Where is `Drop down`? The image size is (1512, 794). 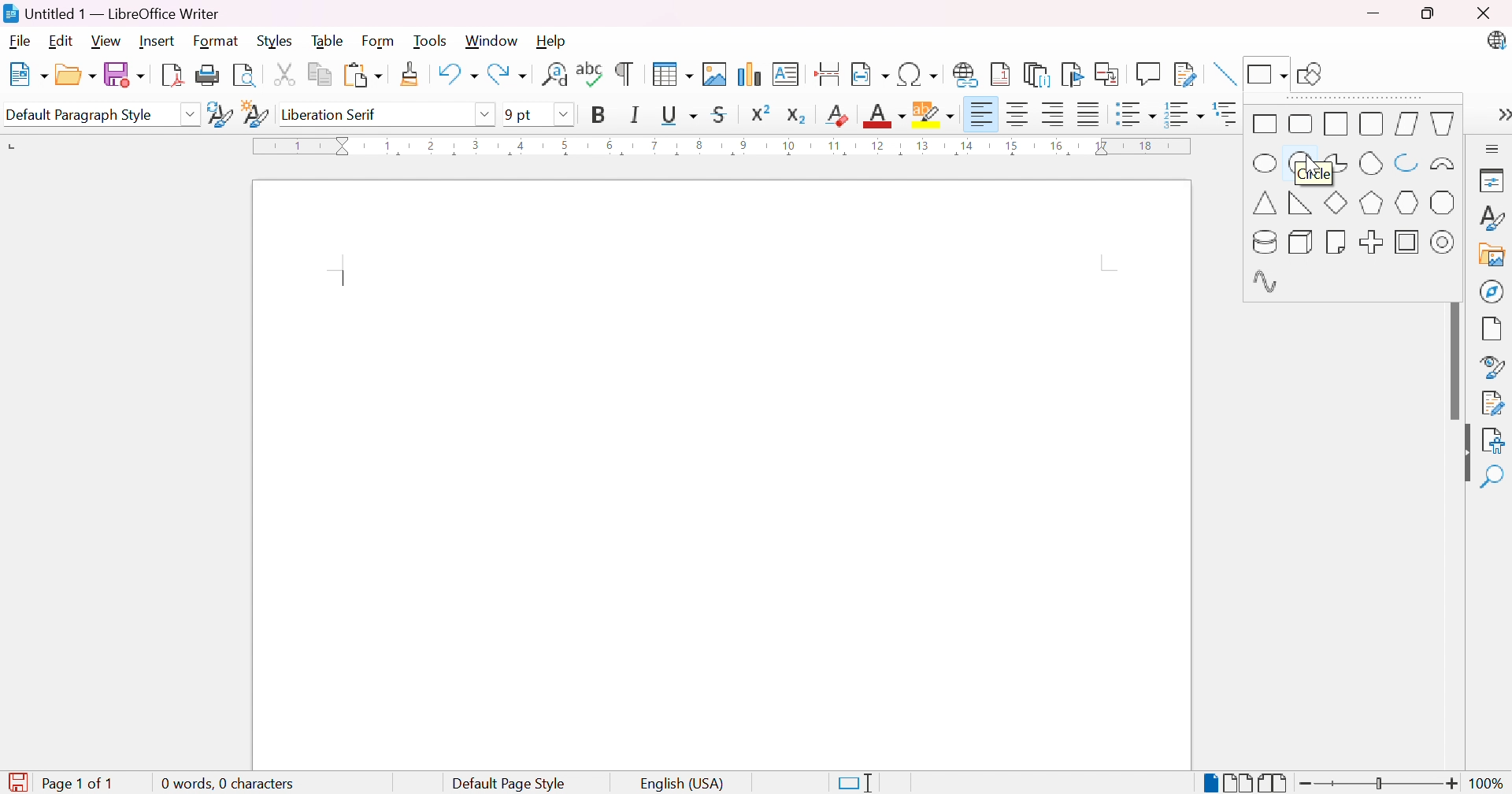
Drop down is located at coordinates (192, 116).